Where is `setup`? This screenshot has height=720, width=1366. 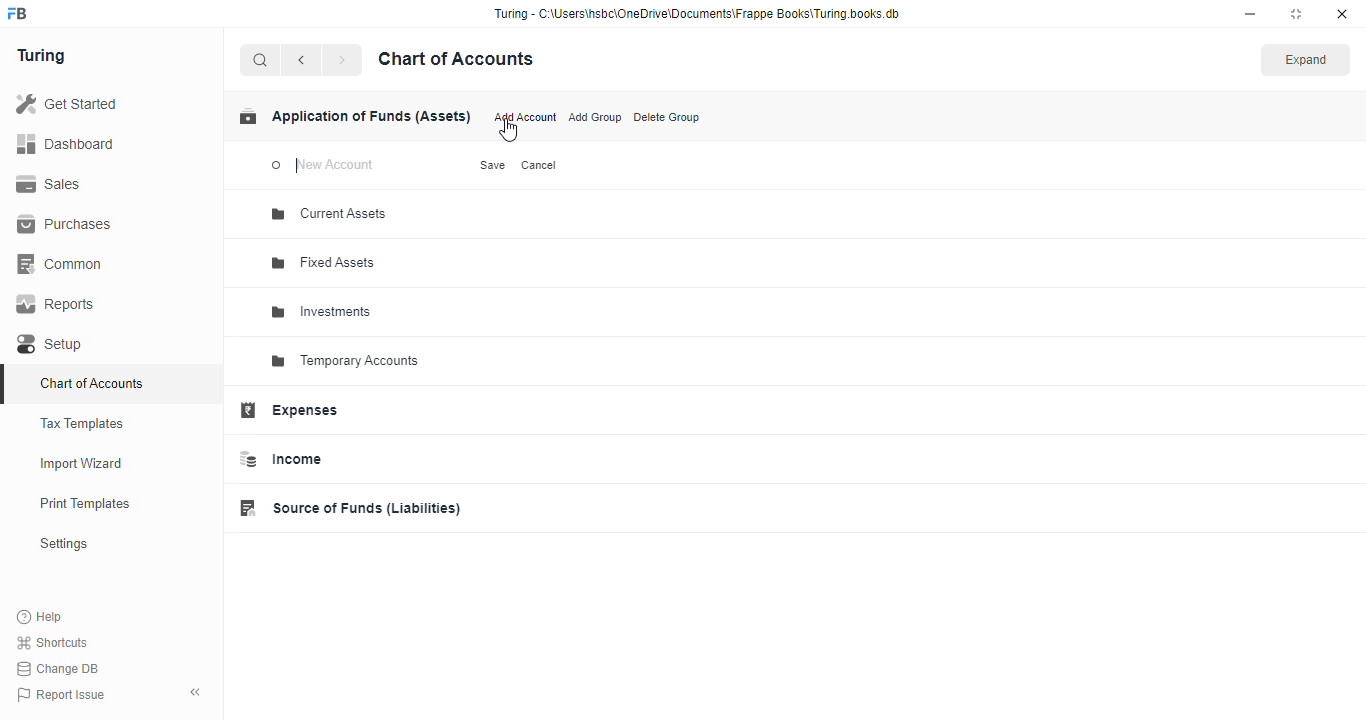
setup is located at coordinates (52, 344).